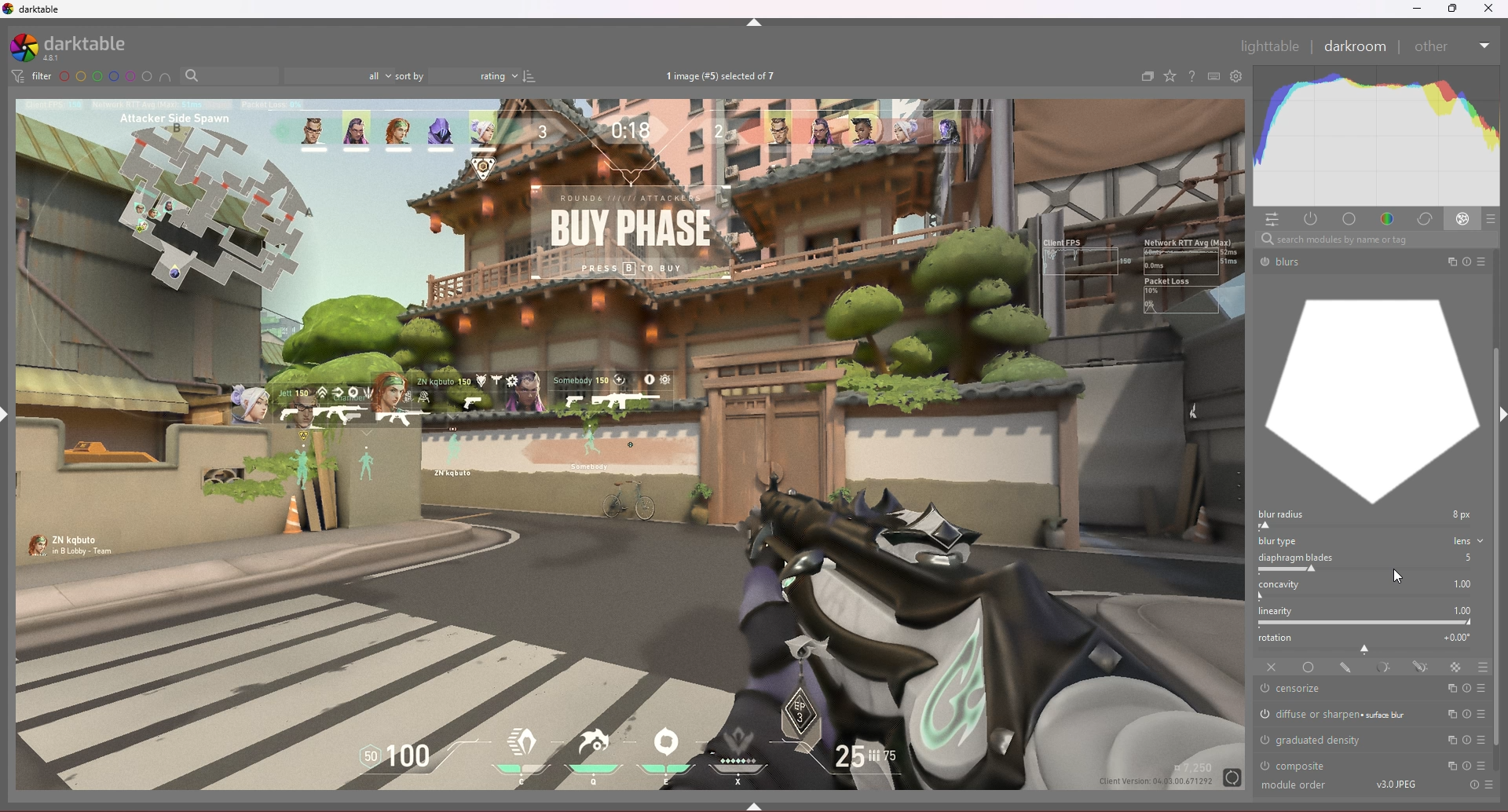  Describe the element at coordinates (1433, 48) in the screenshot. I see `` at that location.